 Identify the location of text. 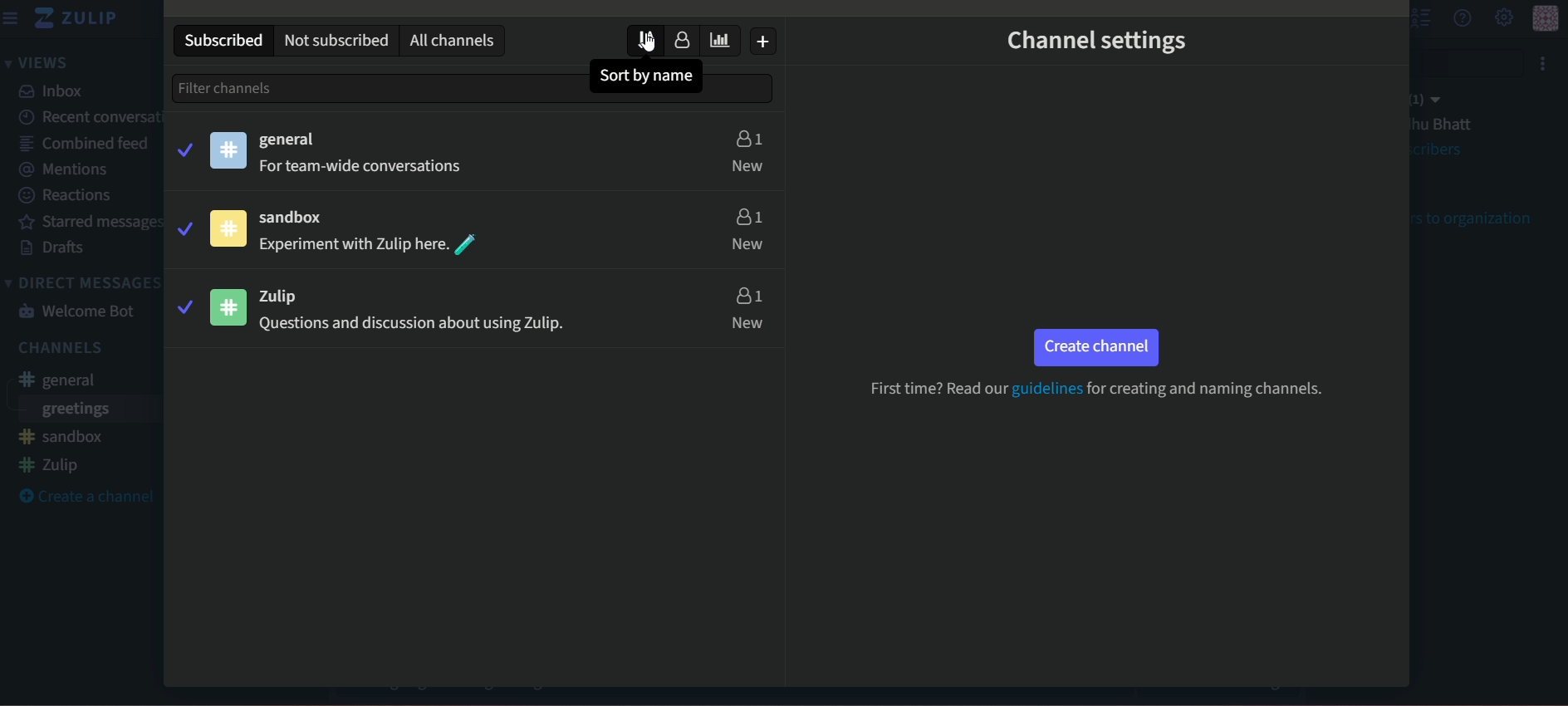
(1095, 390).